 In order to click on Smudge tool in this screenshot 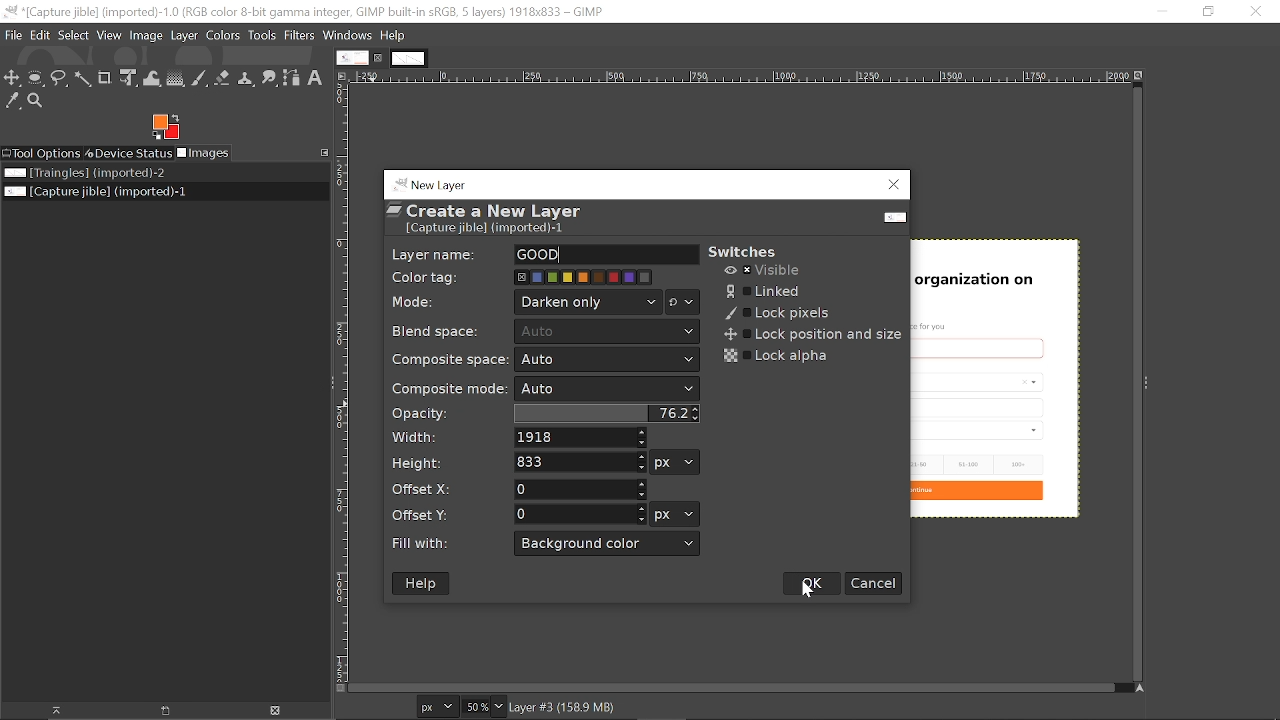, I will do `click(270, 77)`.